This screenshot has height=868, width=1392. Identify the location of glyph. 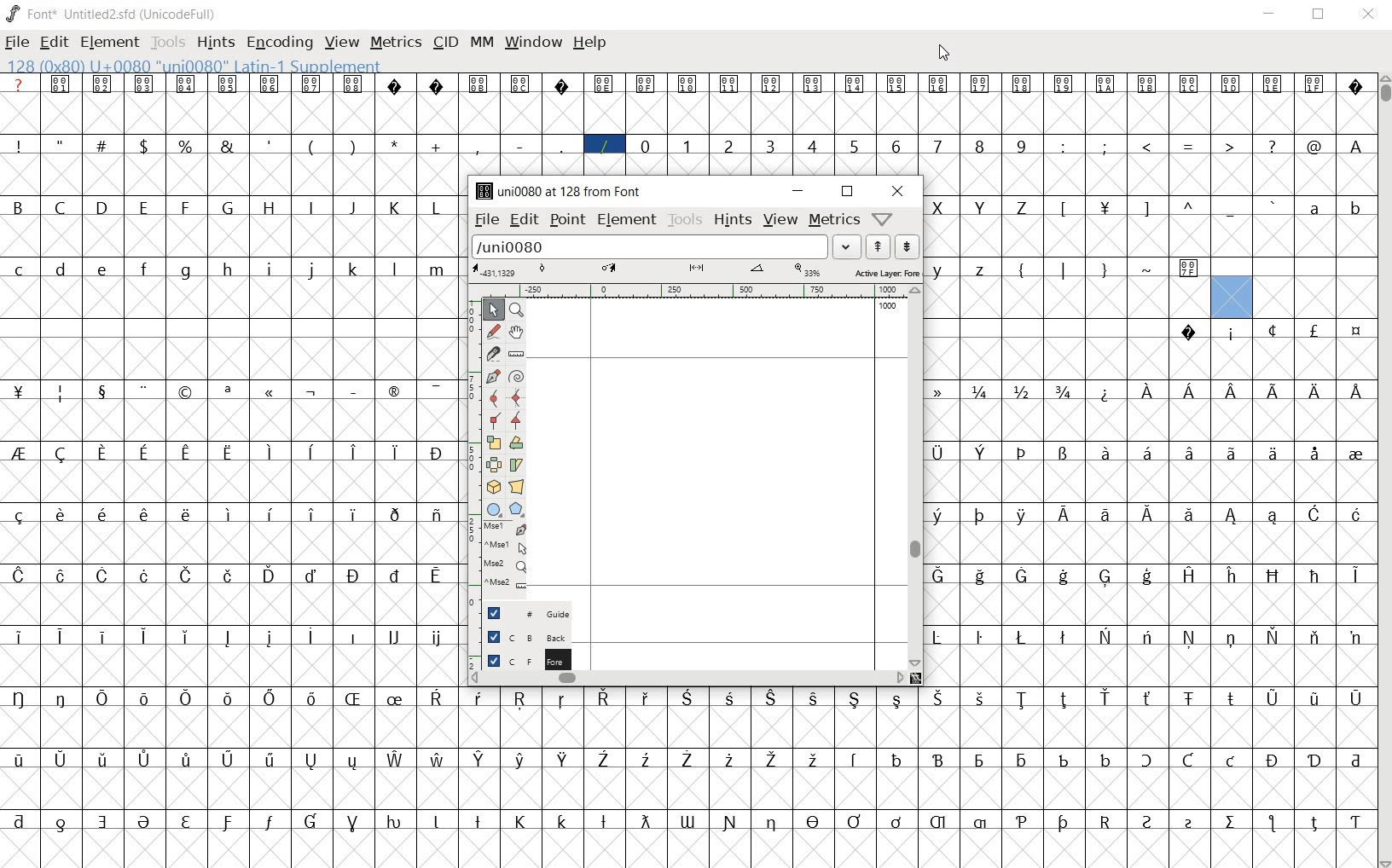
(478, 760).